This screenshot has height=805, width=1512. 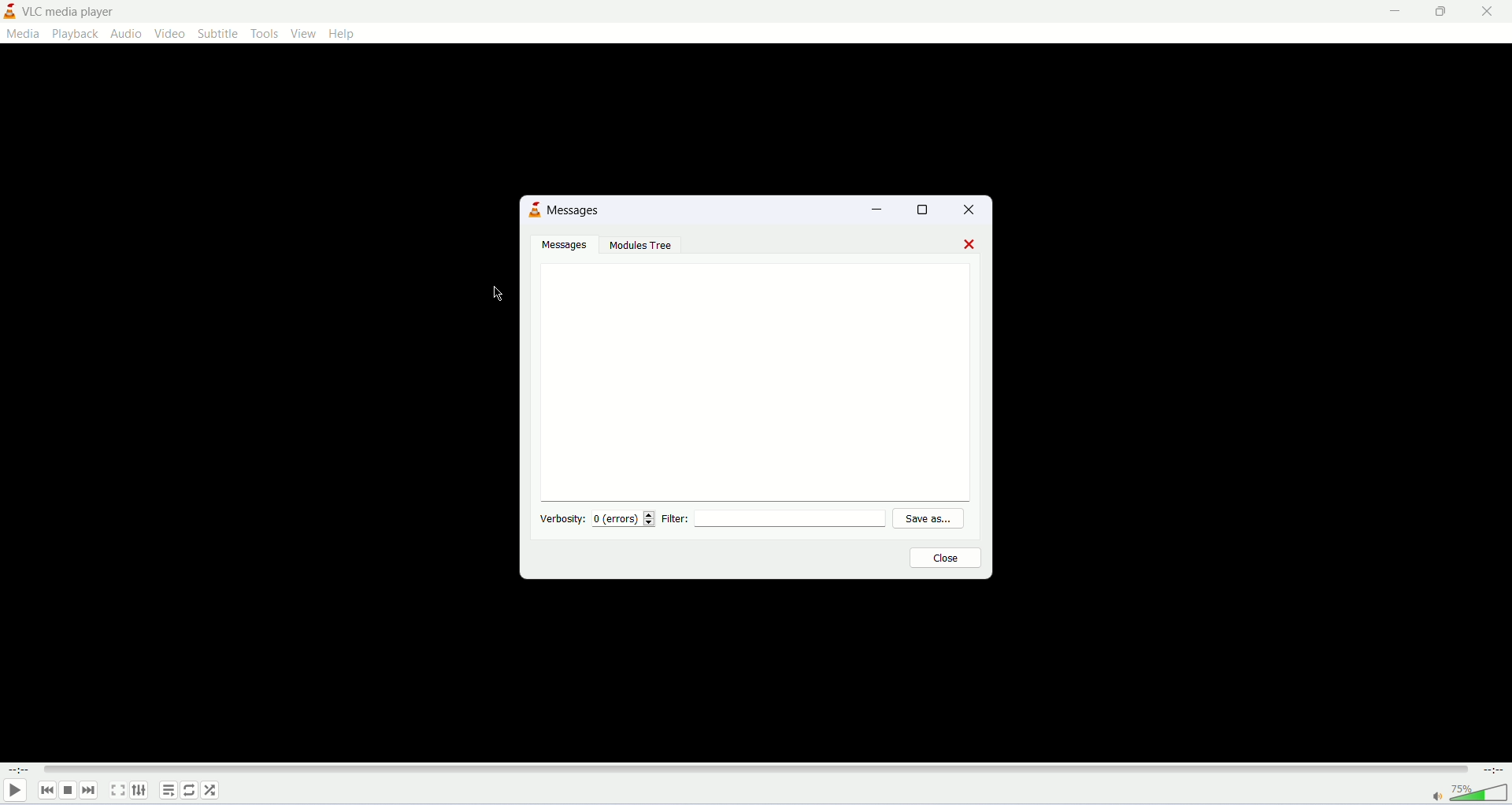 I want to click on media, so click(x=23, y=35).